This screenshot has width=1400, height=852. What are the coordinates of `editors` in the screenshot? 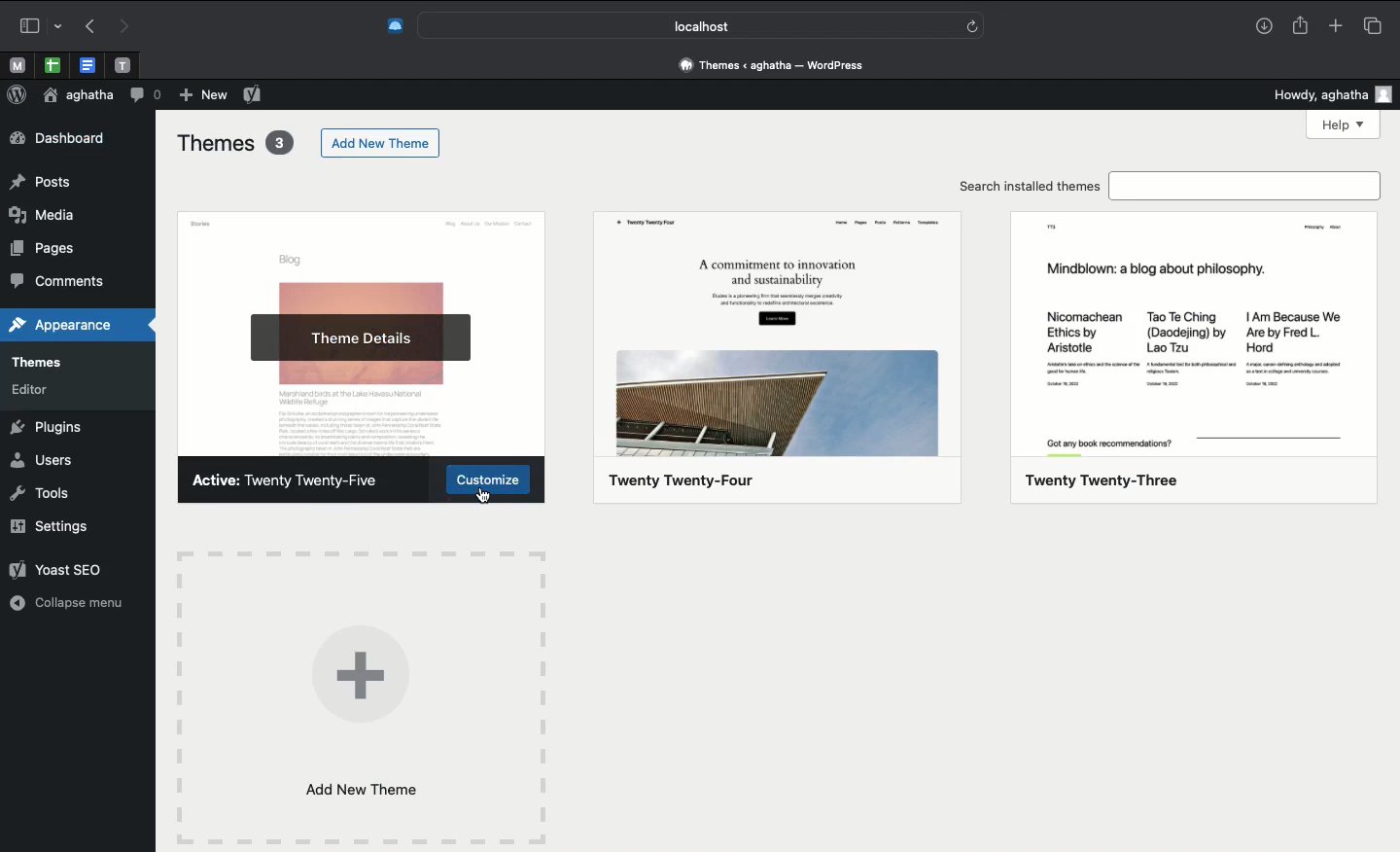 It's located at (59, 389).